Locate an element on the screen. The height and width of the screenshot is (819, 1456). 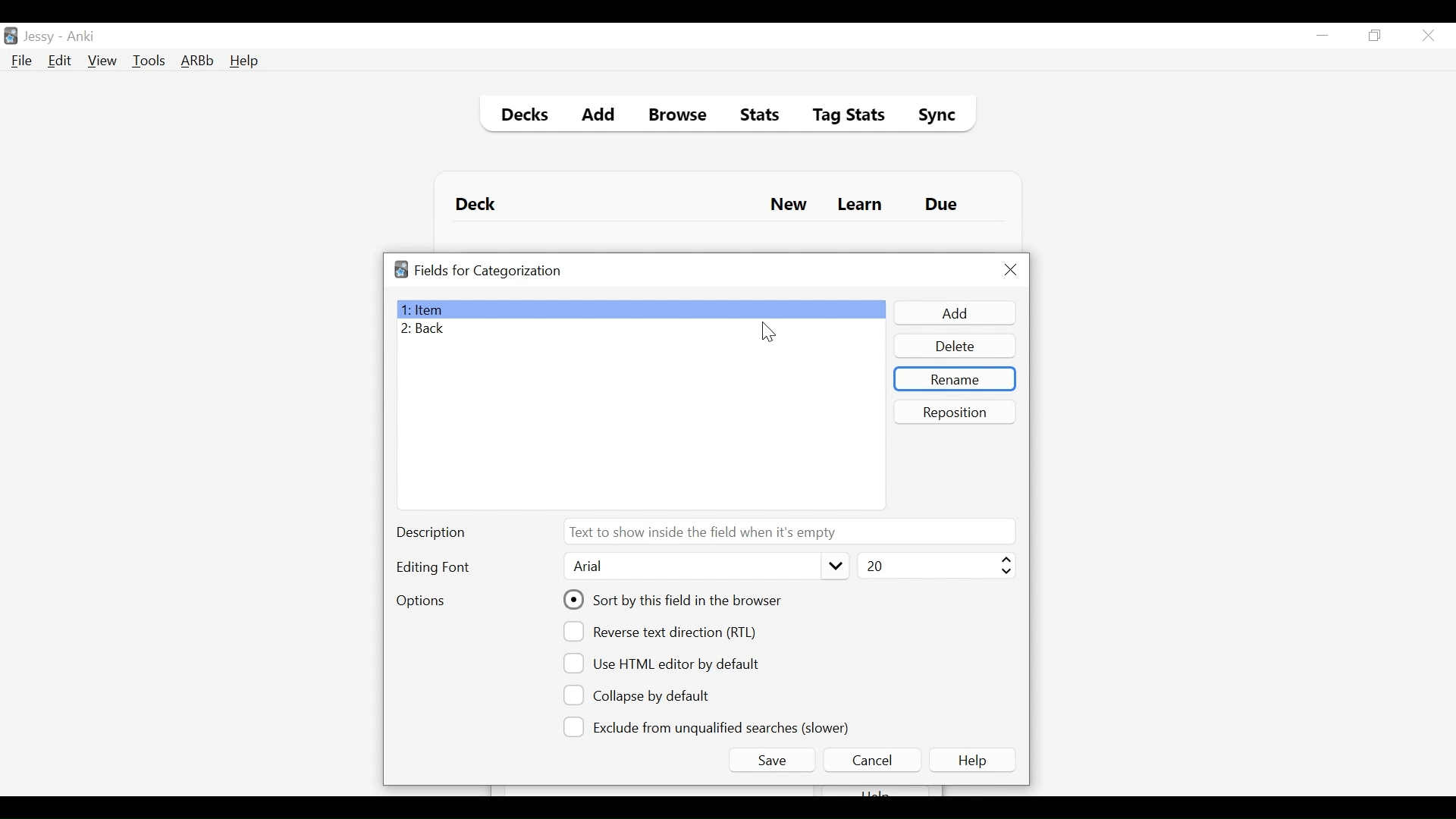
Close is located at coordinates (1011, 270).